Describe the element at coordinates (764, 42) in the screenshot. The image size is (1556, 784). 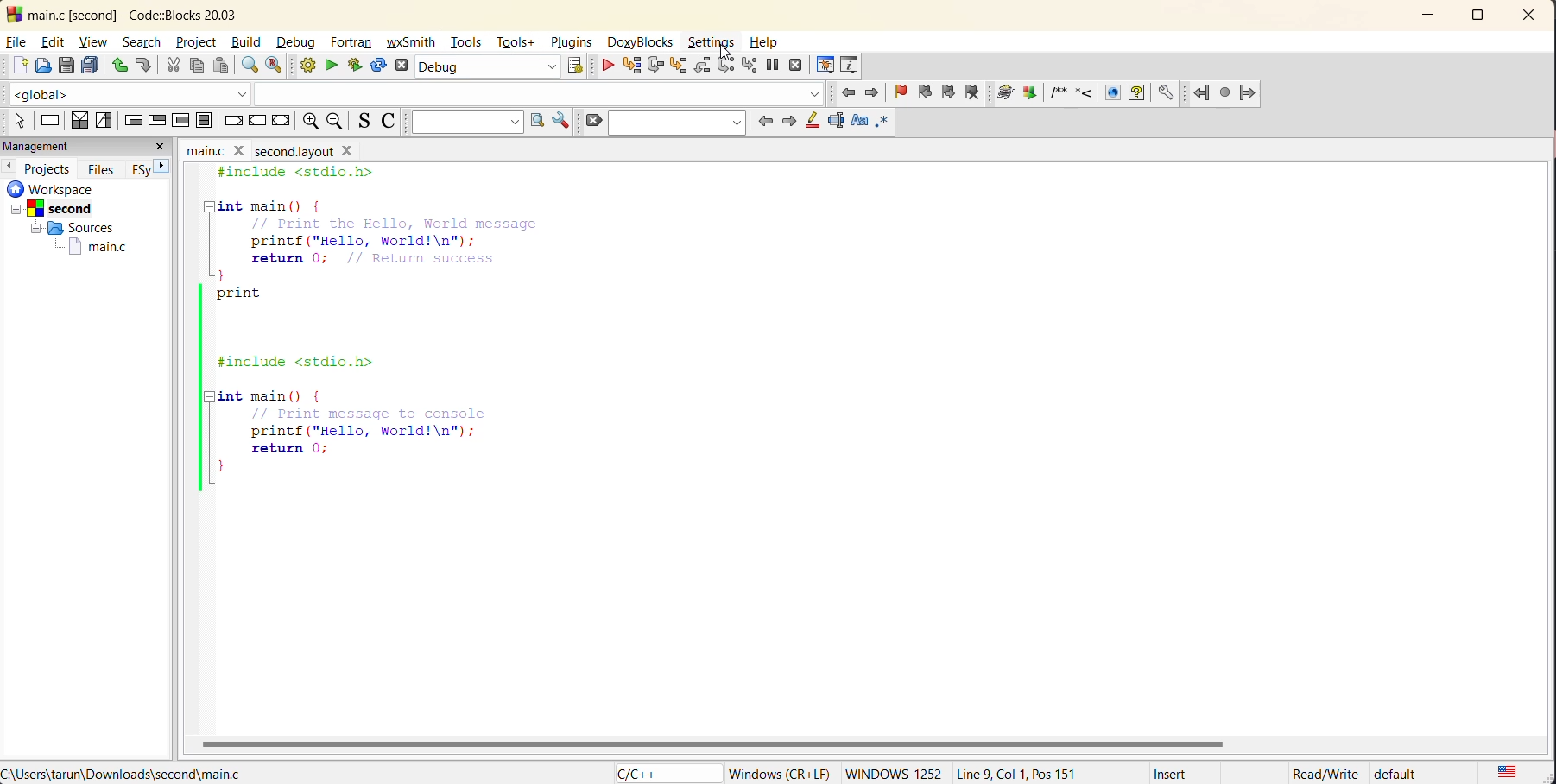
I see `help` at that location.